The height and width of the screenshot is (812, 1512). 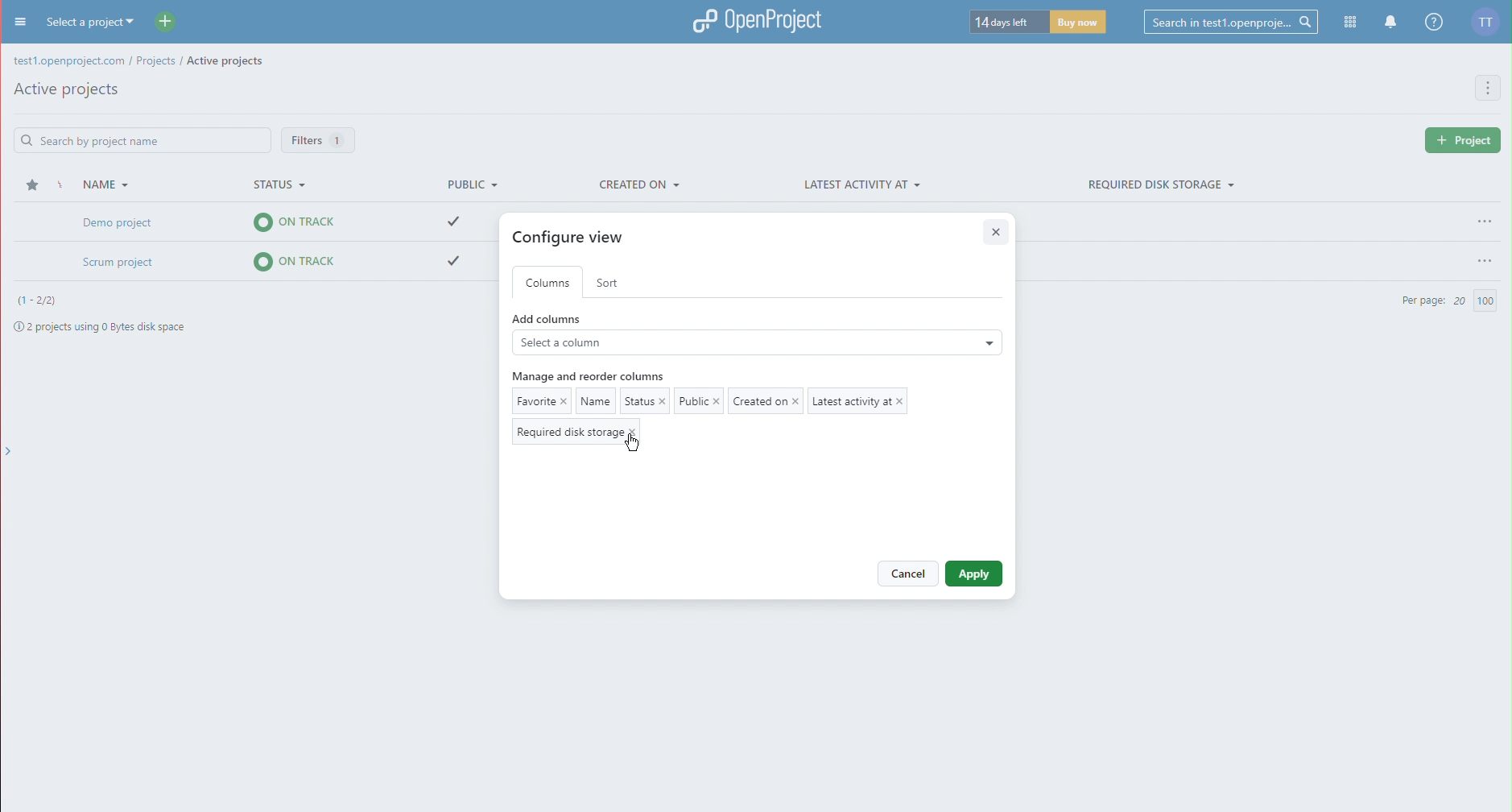 What do you see at coordinates (1481, 218) in the screenshot?
I see `Options` at bounding box center [1481, 218].